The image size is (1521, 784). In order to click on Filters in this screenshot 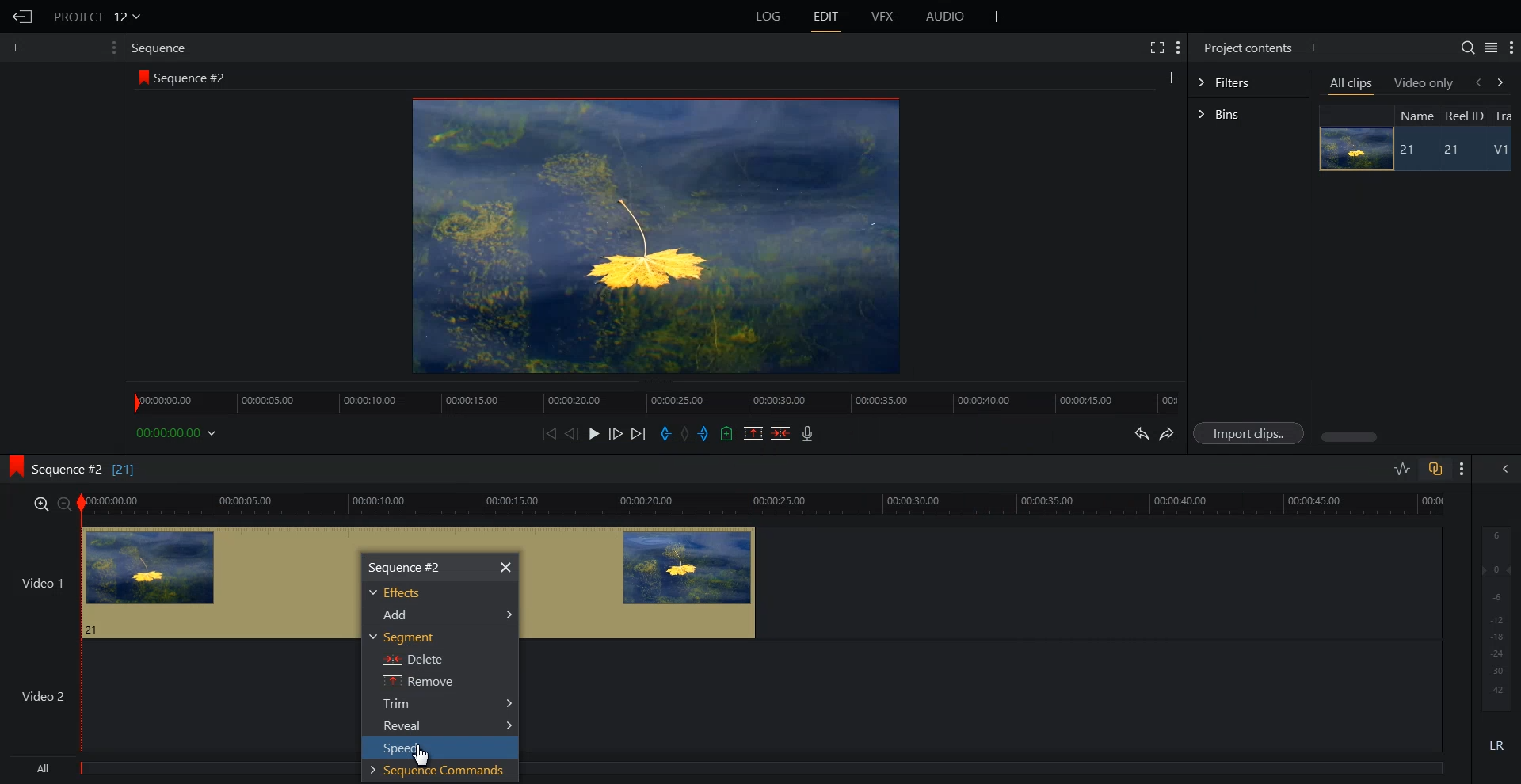, I will do `click(1248, 81)`.